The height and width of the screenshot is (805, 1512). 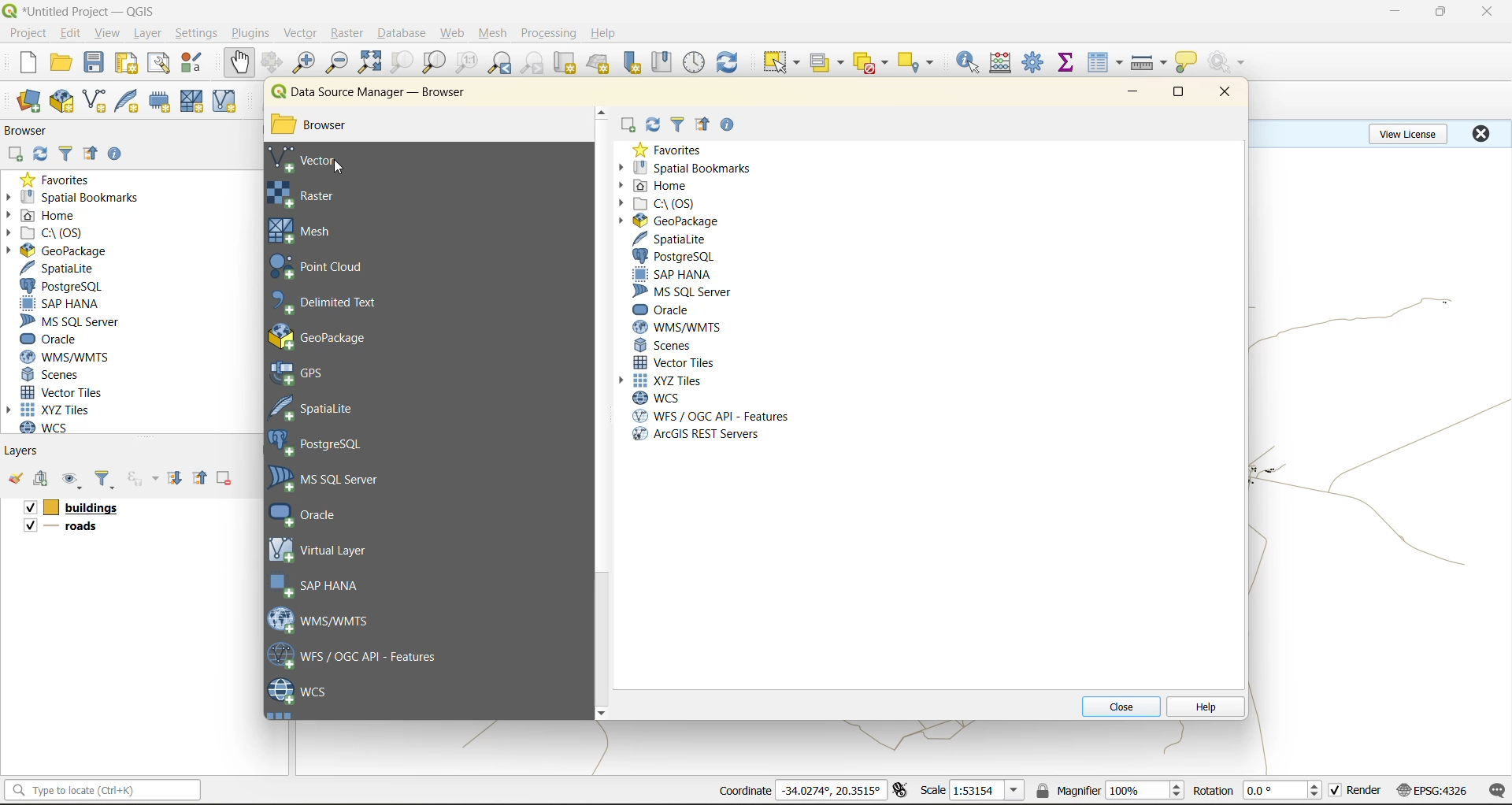 What do you see at coordinates (1120, 706) in the screenshot?
I see `close` at bounding box center [1120, 706].